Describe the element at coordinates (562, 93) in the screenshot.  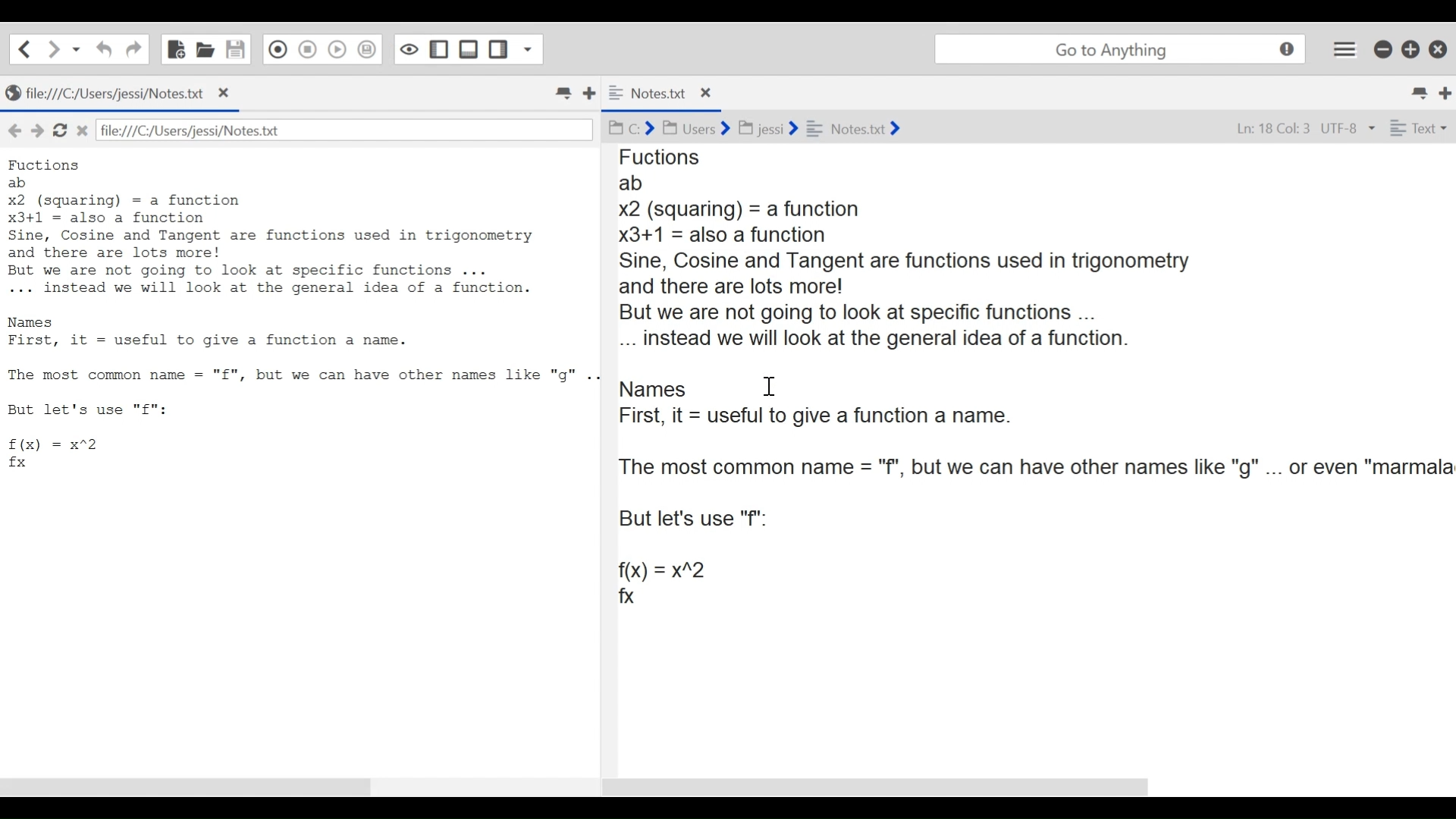
I see `List all tabs` at that location.